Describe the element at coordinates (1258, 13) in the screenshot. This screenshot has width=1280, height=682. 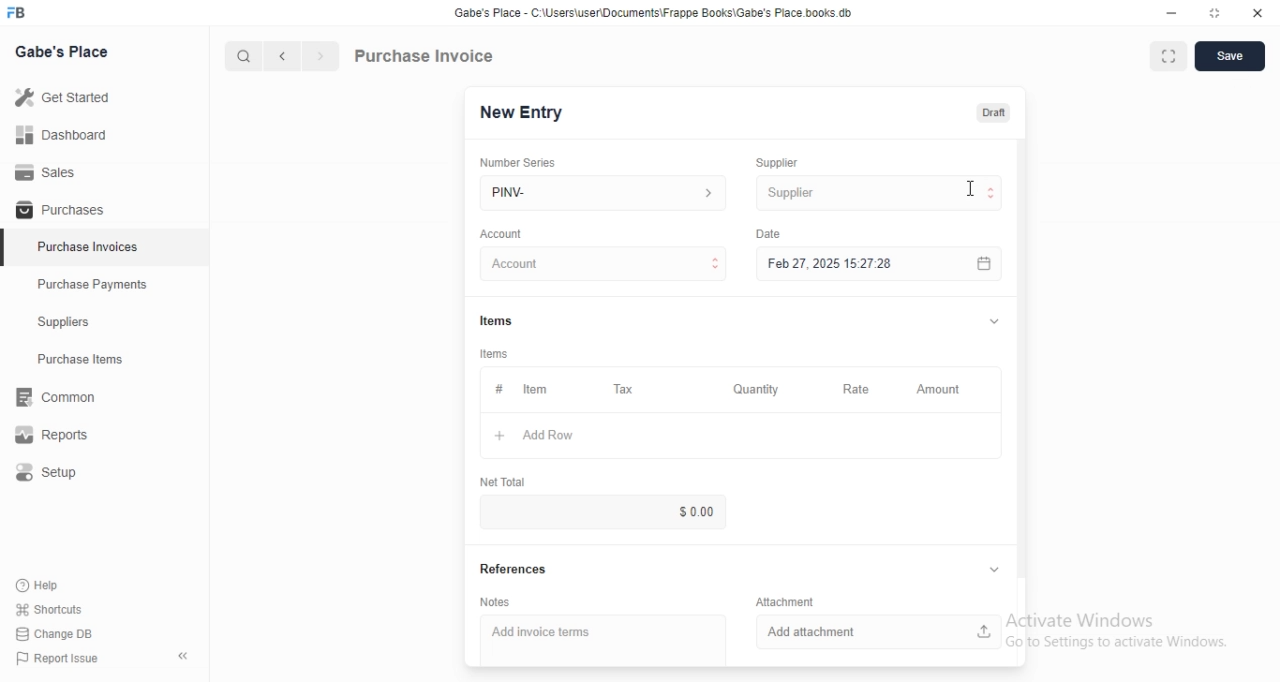
I see `Close` at that location.